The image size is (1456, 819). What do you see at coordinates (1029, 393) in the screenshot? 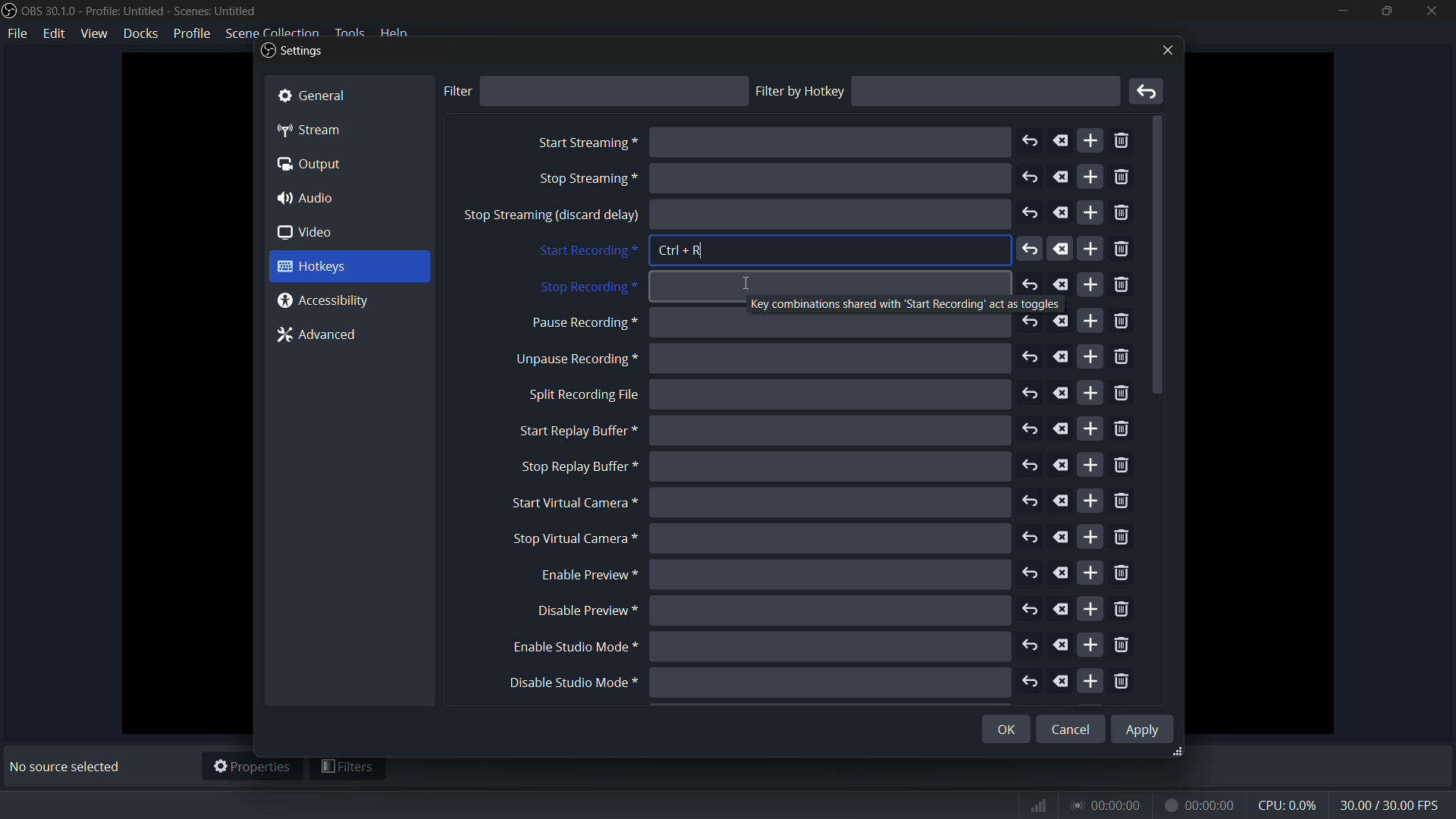
I see `undo` at bounding box center [1029, 393].